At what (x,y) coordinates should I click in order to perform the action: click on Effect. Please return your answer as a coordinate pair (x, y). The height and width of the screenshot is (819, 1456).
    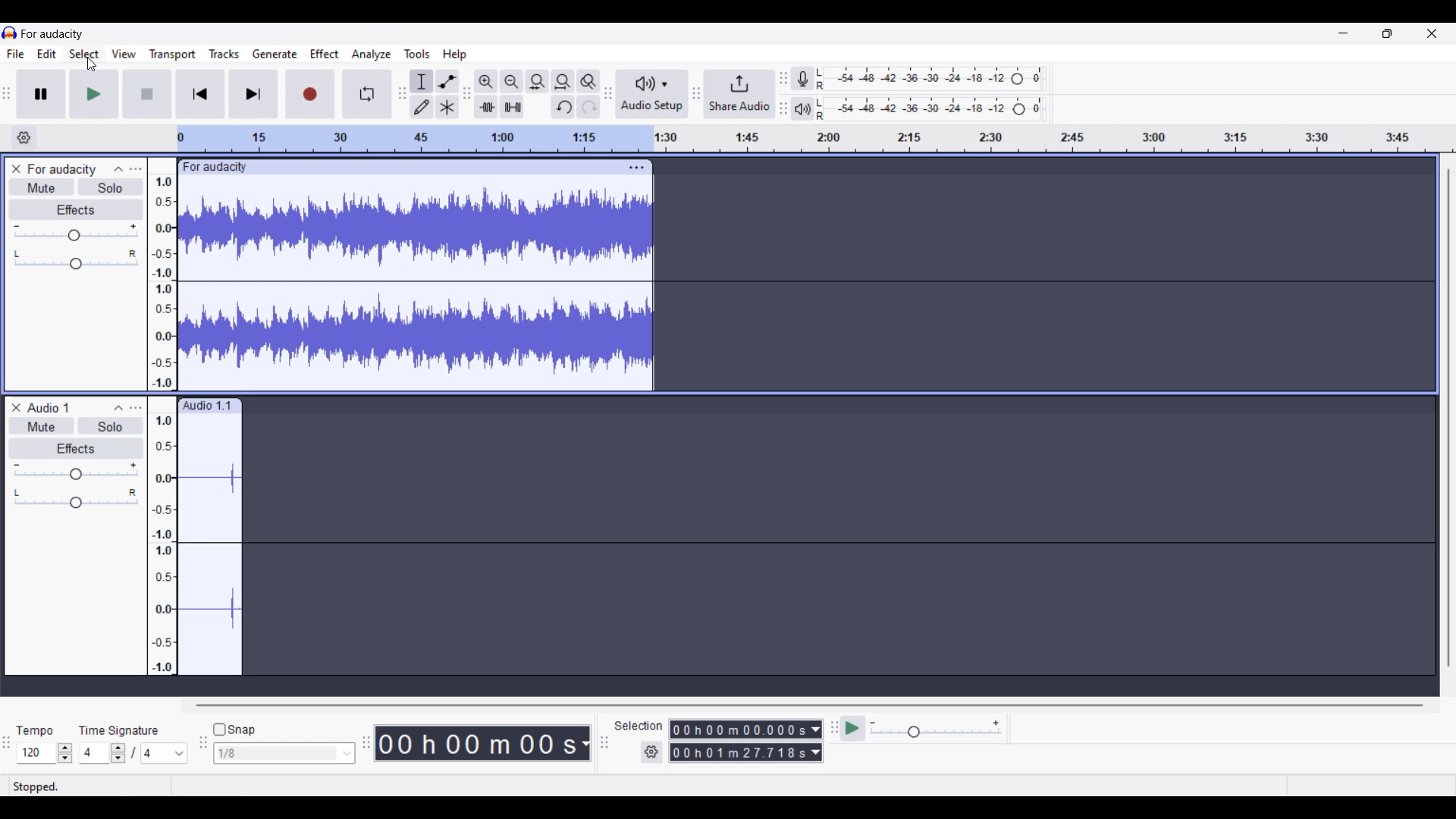
    Looking at the image, I should click on (324, 54).